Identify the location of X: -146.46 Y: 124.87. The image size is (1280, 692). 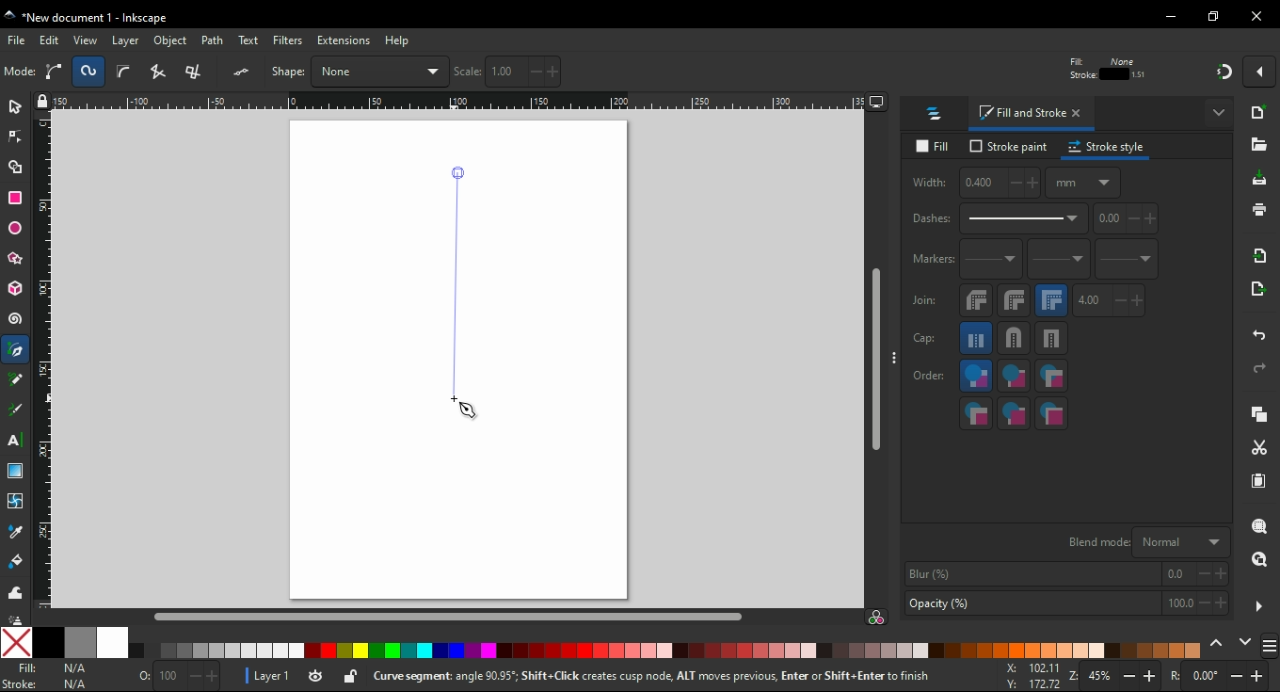
(1026, 677).